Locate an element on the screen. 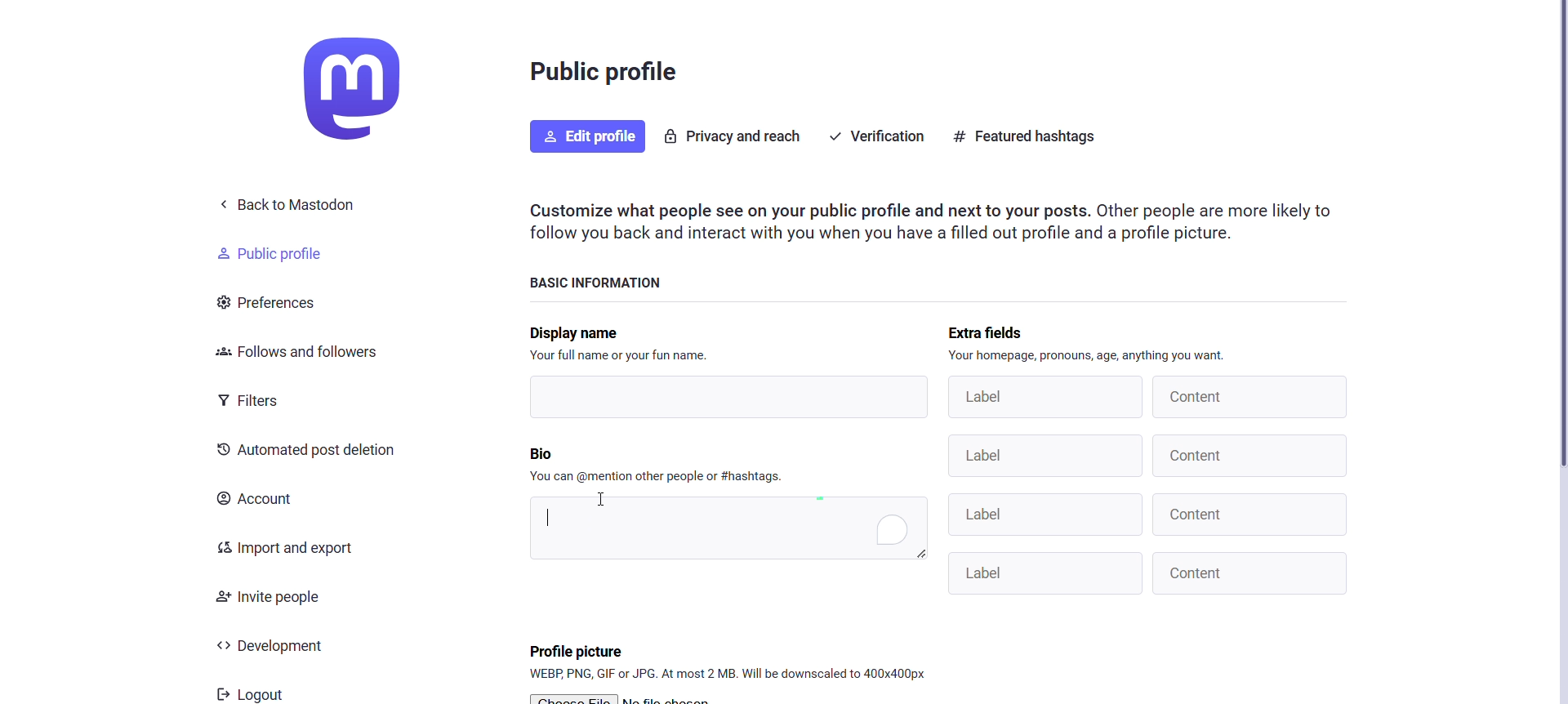 This screenshot has width=1568, height=704. Bio is located at coordinates (554, 452).